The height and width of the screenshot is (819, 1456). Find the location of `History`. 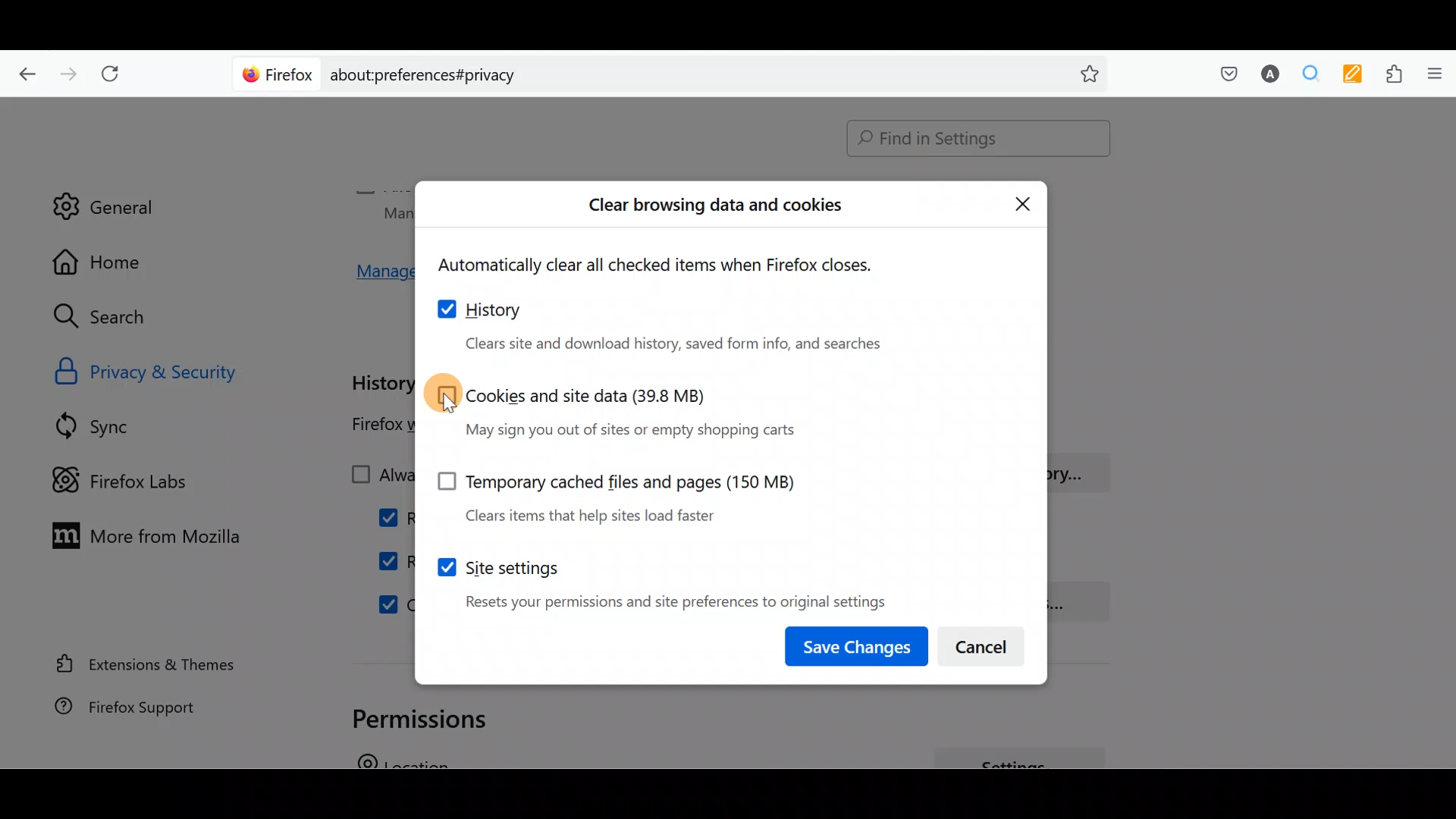

History is located at coordinates (673, 325).